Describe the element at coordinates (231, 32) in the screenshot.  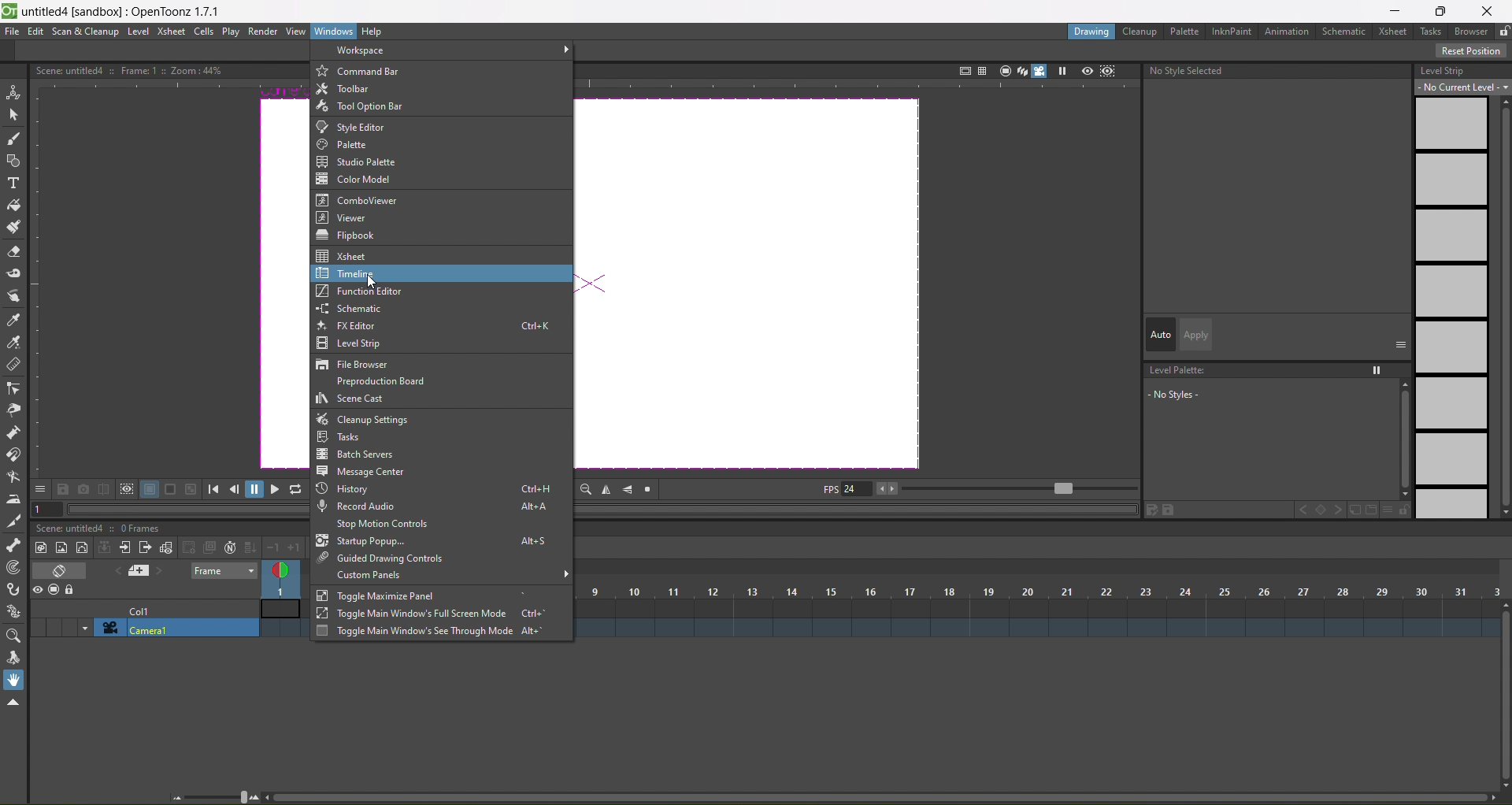
I see `play` at that location.